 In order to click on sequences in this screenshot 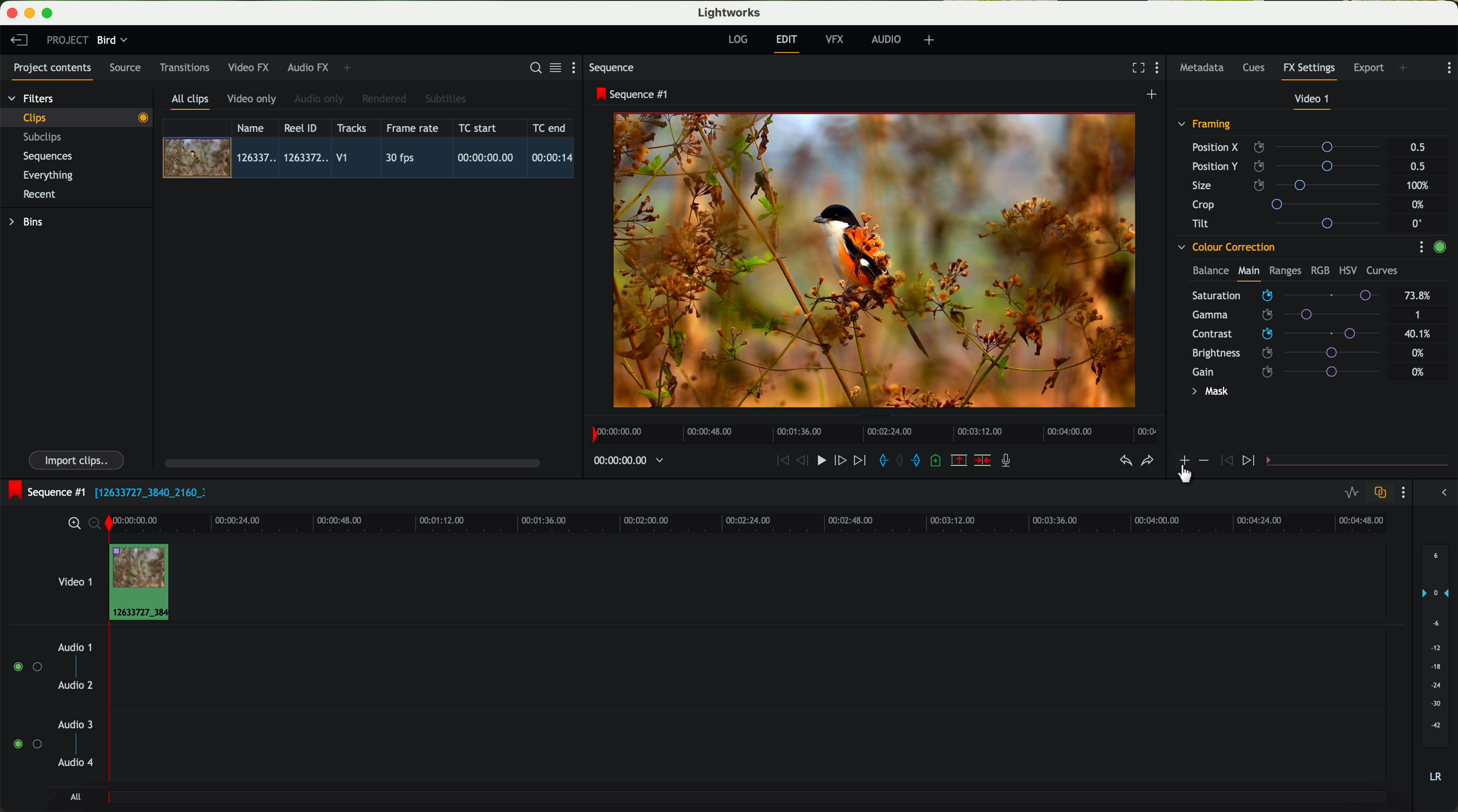, I will do `click(48, 157)`.